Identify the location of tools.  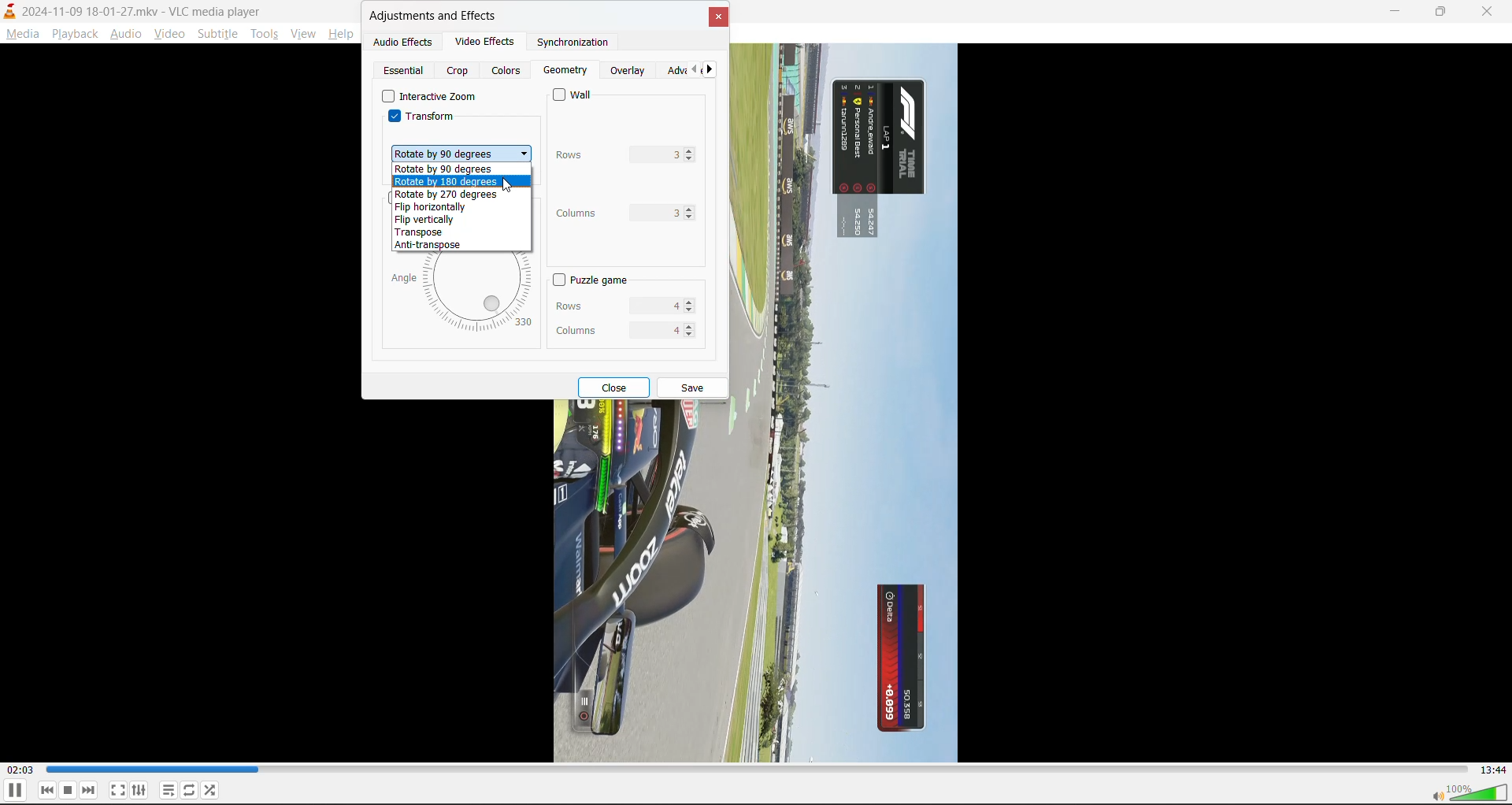
(265, 36).